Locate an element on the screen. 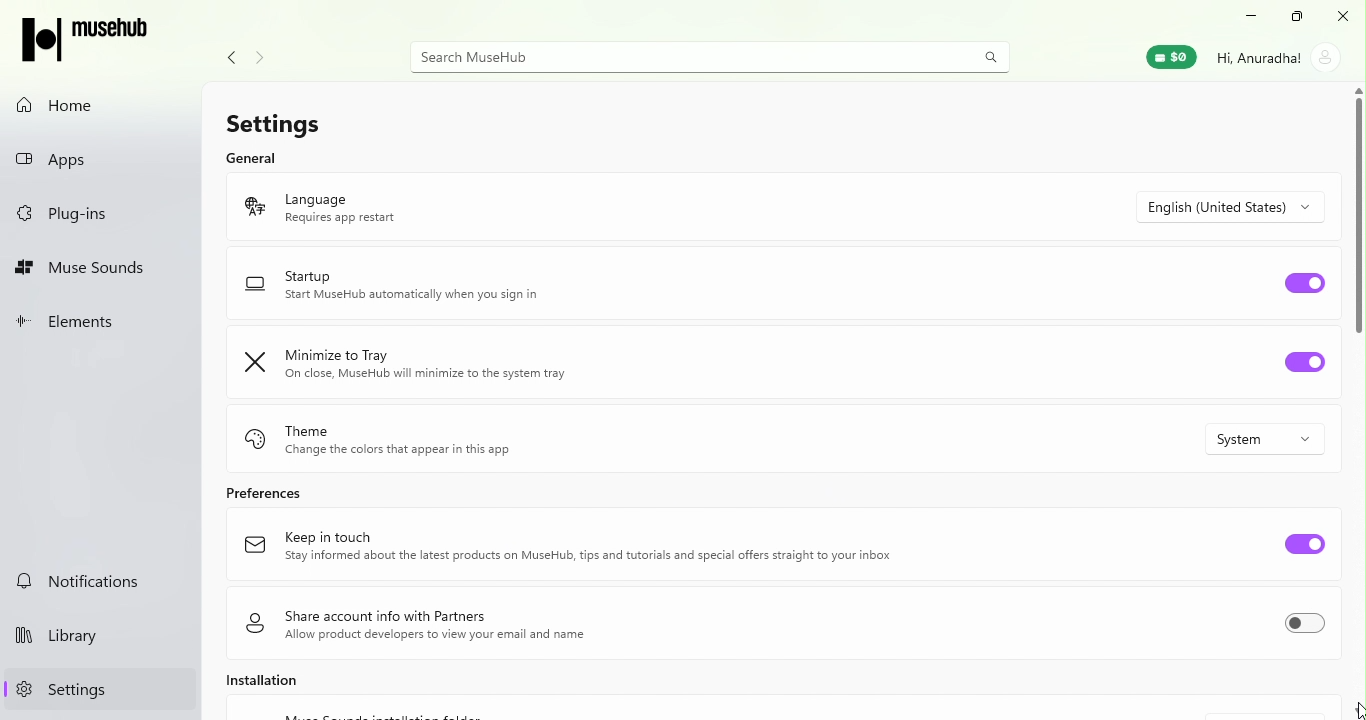  System is located at coordinates (1263, 439).